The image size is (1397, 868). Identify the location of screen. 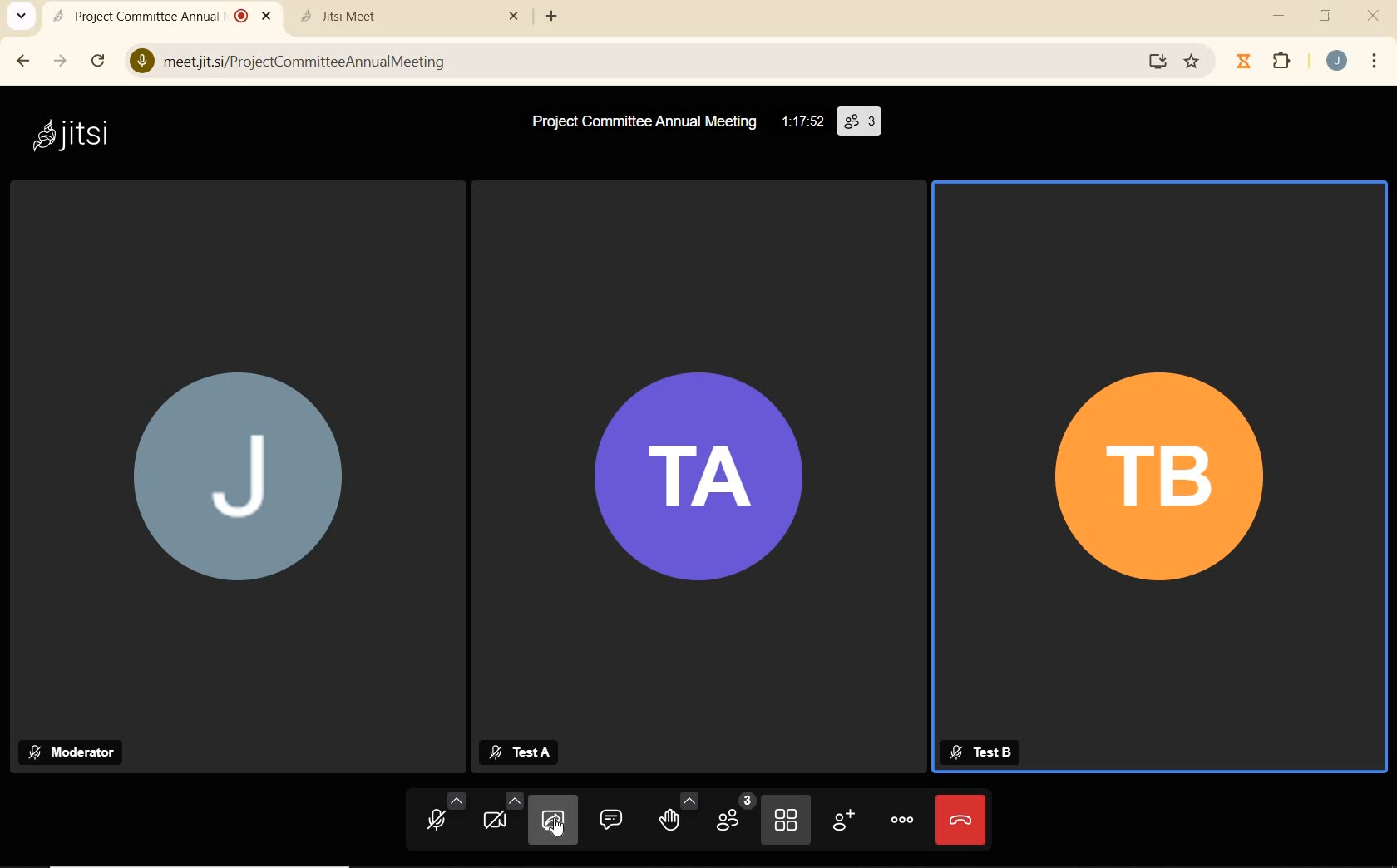
(1154, 61).